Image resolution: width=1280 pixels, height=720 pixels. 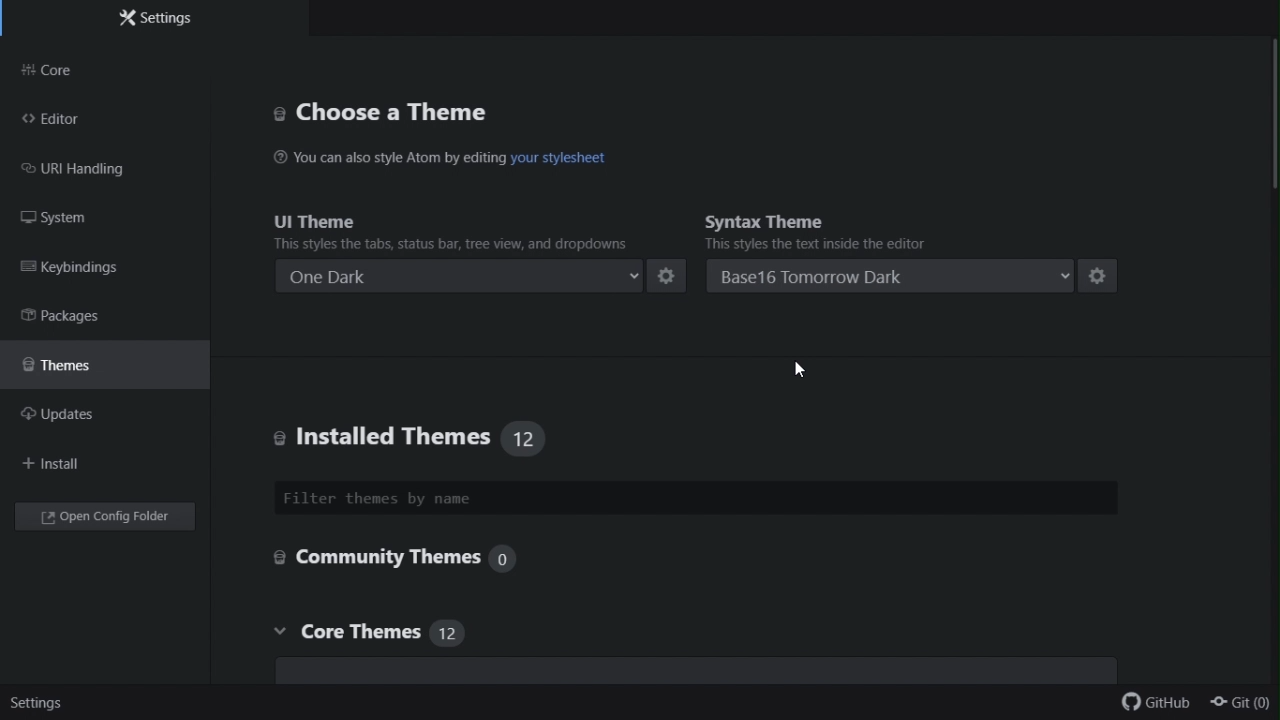 What do you see at coordinates (154, 18) in the screenshot?
I see `Settings` at bounding box center [154, 18].